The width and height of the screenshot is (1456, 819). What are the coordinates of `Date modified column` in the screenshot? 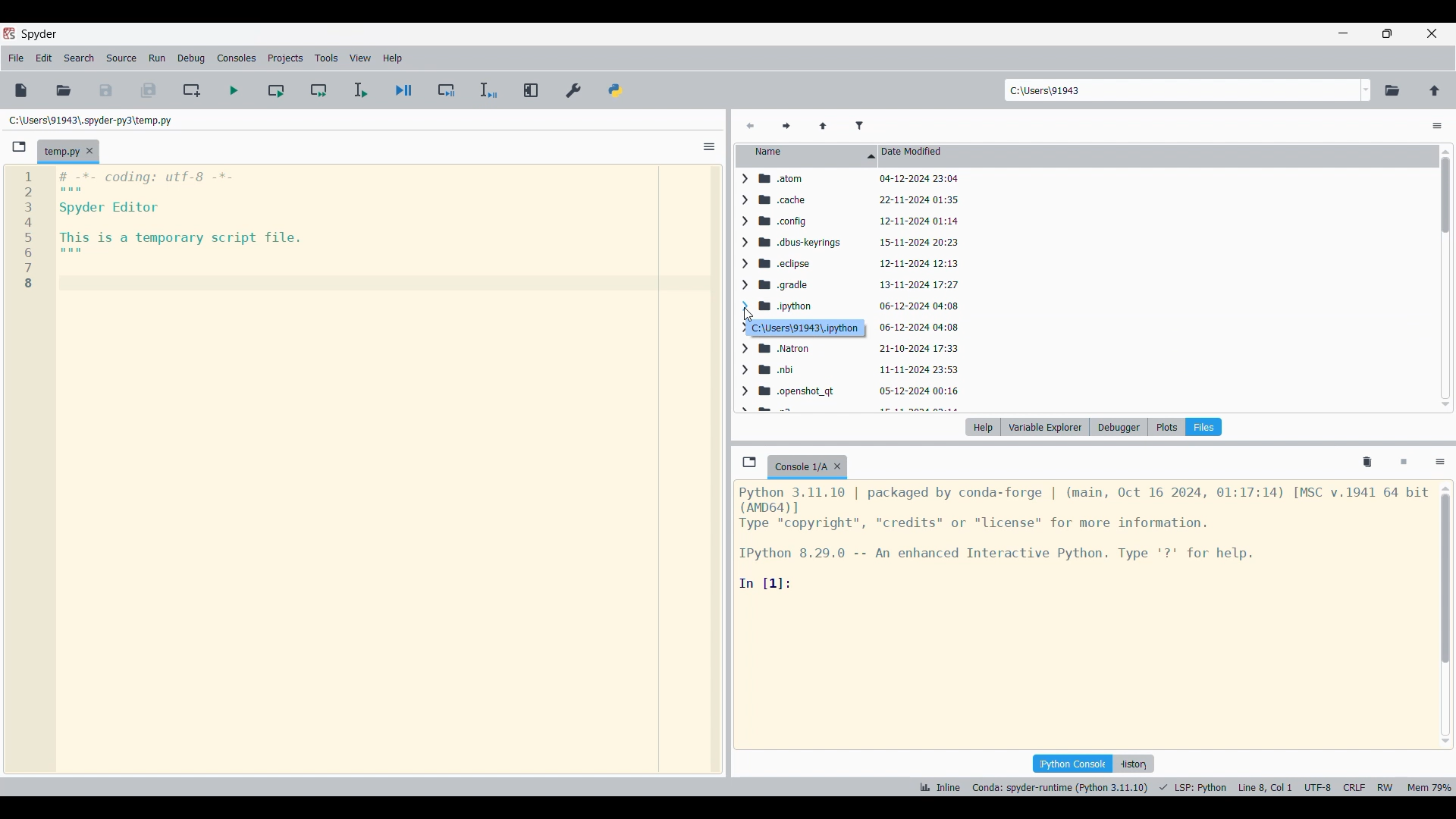 It's located at (1157, 156).